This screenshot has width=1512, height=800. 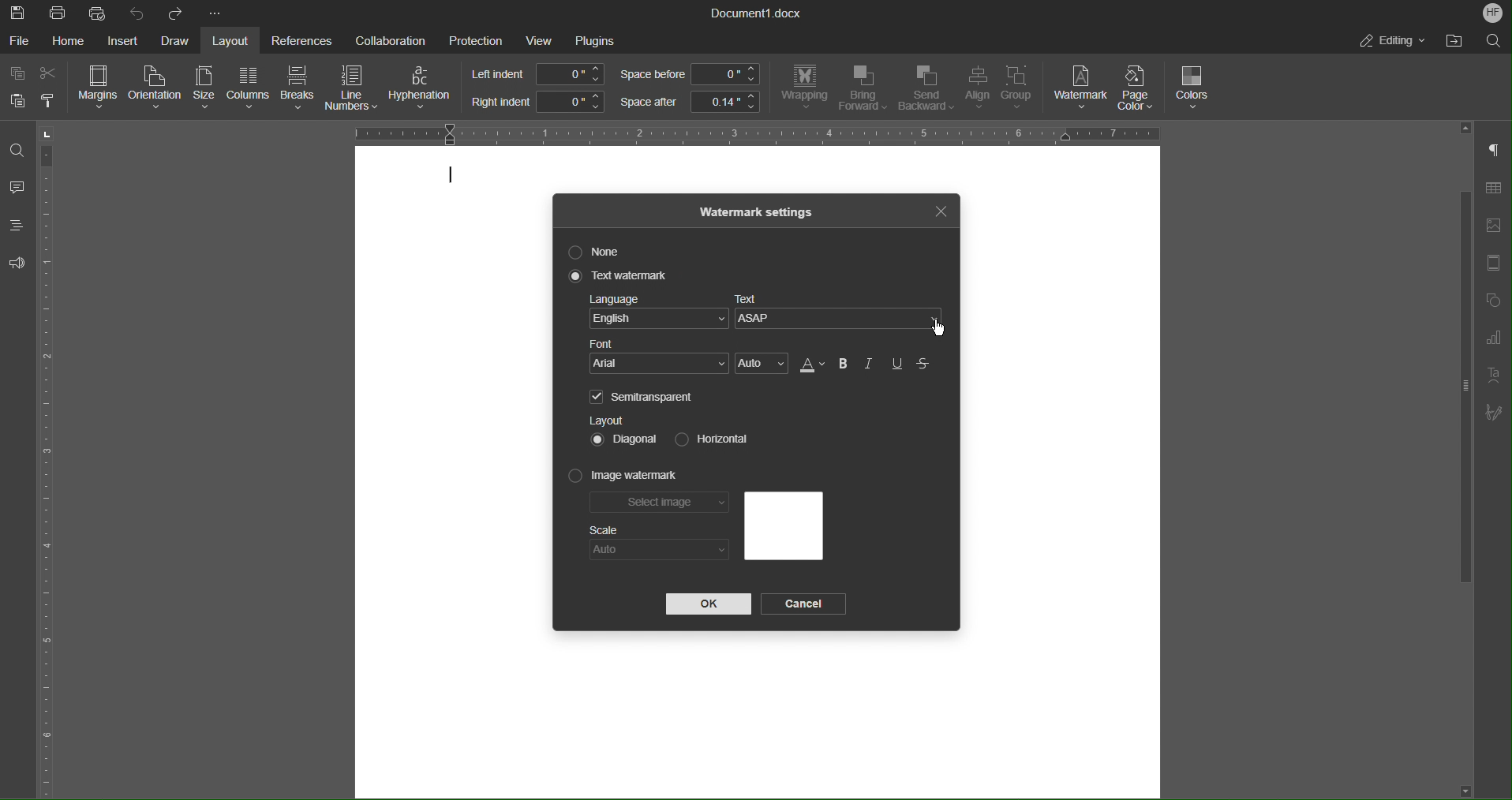 What do you see at coordinates (1492, 264) in the screenshot?
I see `Page Template` at bounding box center [1492, 264].